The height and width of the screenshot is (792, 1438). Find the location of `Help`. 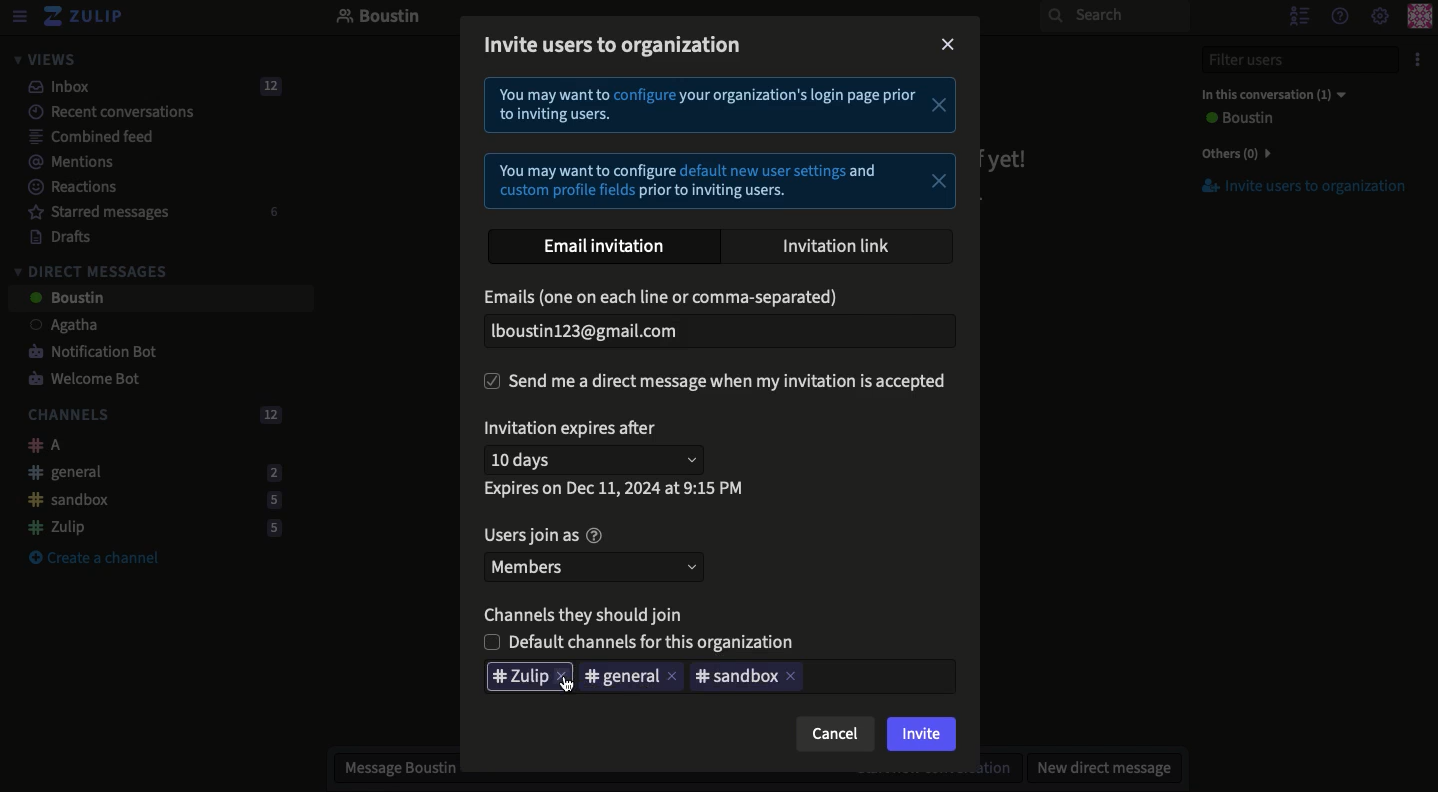

Help is located at coordinates (1338, 15).